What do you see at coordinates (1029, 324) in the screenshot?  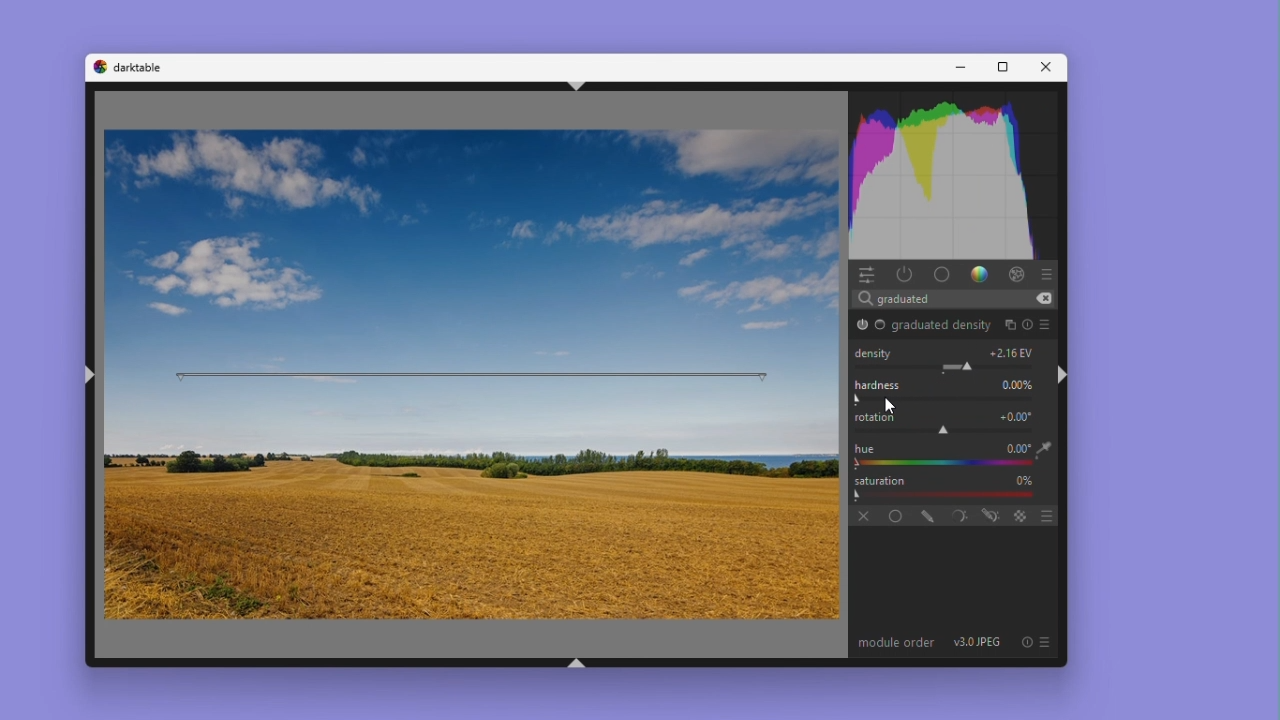 I see `reset` at bounding box center [1029, 324].